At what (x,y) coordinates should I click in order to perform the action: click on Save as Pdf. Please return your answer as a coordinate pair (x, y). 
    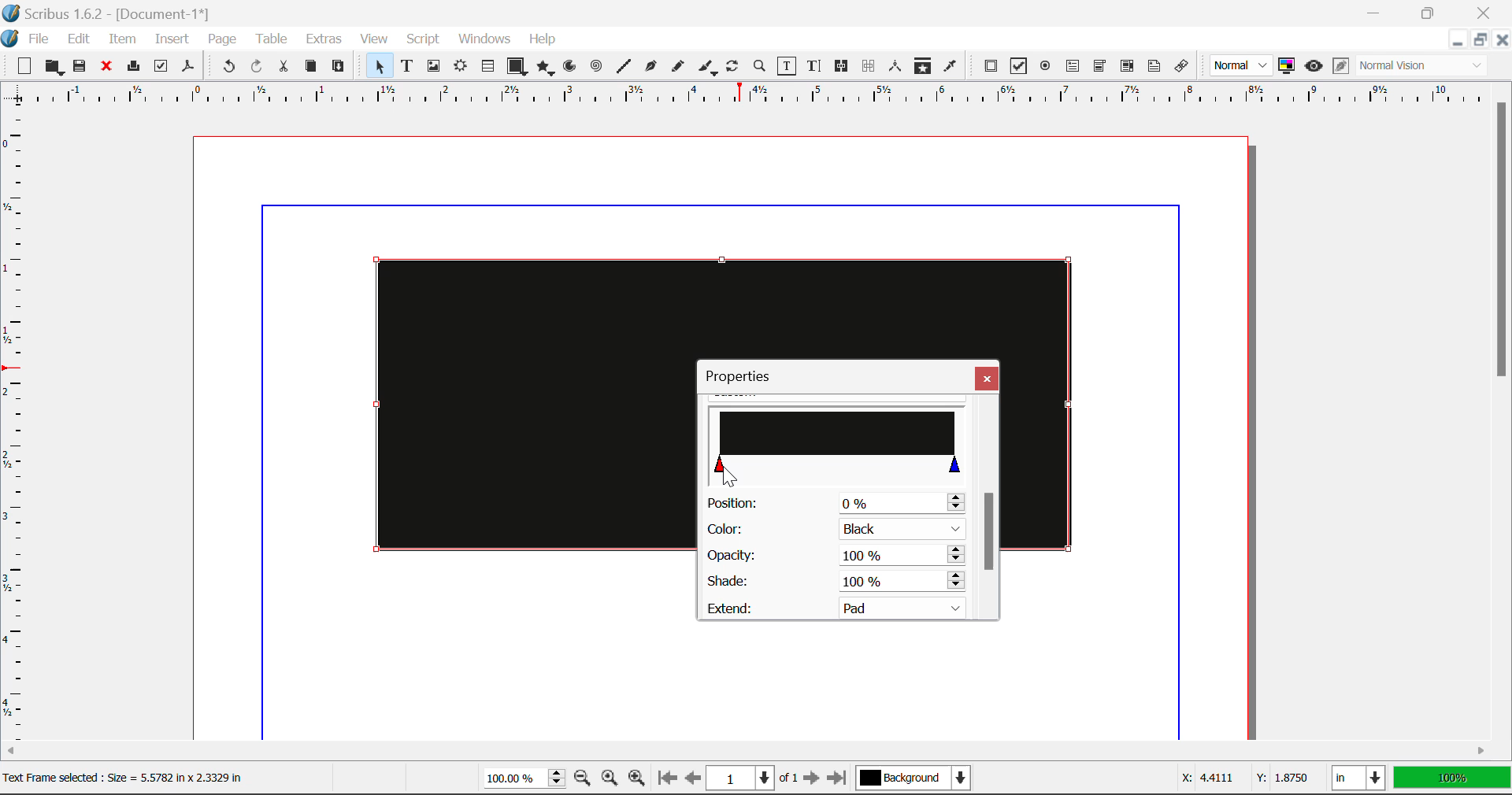
    Looking at the image, I should click on (188, 68).